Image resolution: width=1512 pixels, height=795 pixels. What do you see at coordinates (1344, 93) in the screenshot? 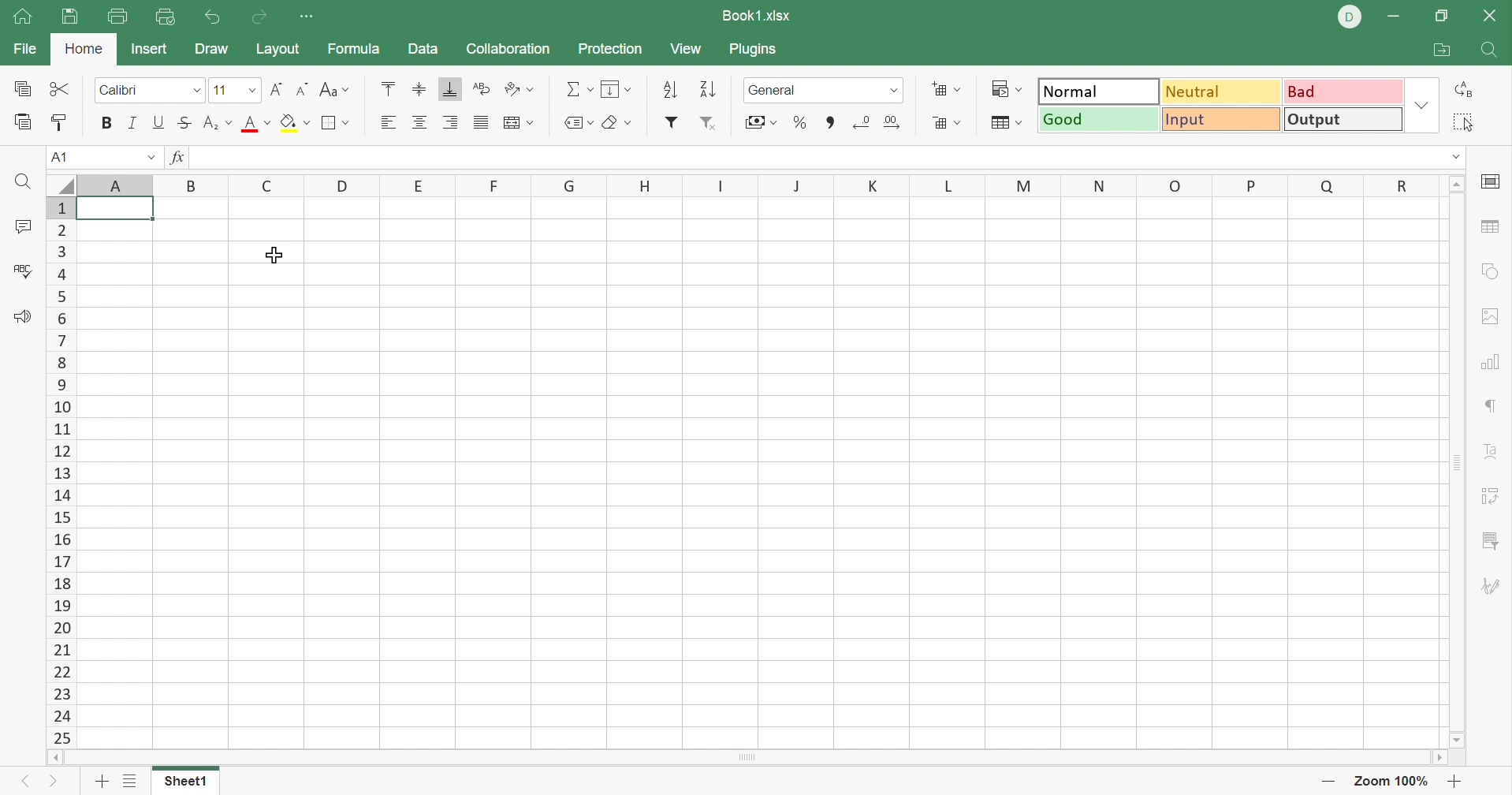
I see `Bad` at bounding box center [1344, 93].